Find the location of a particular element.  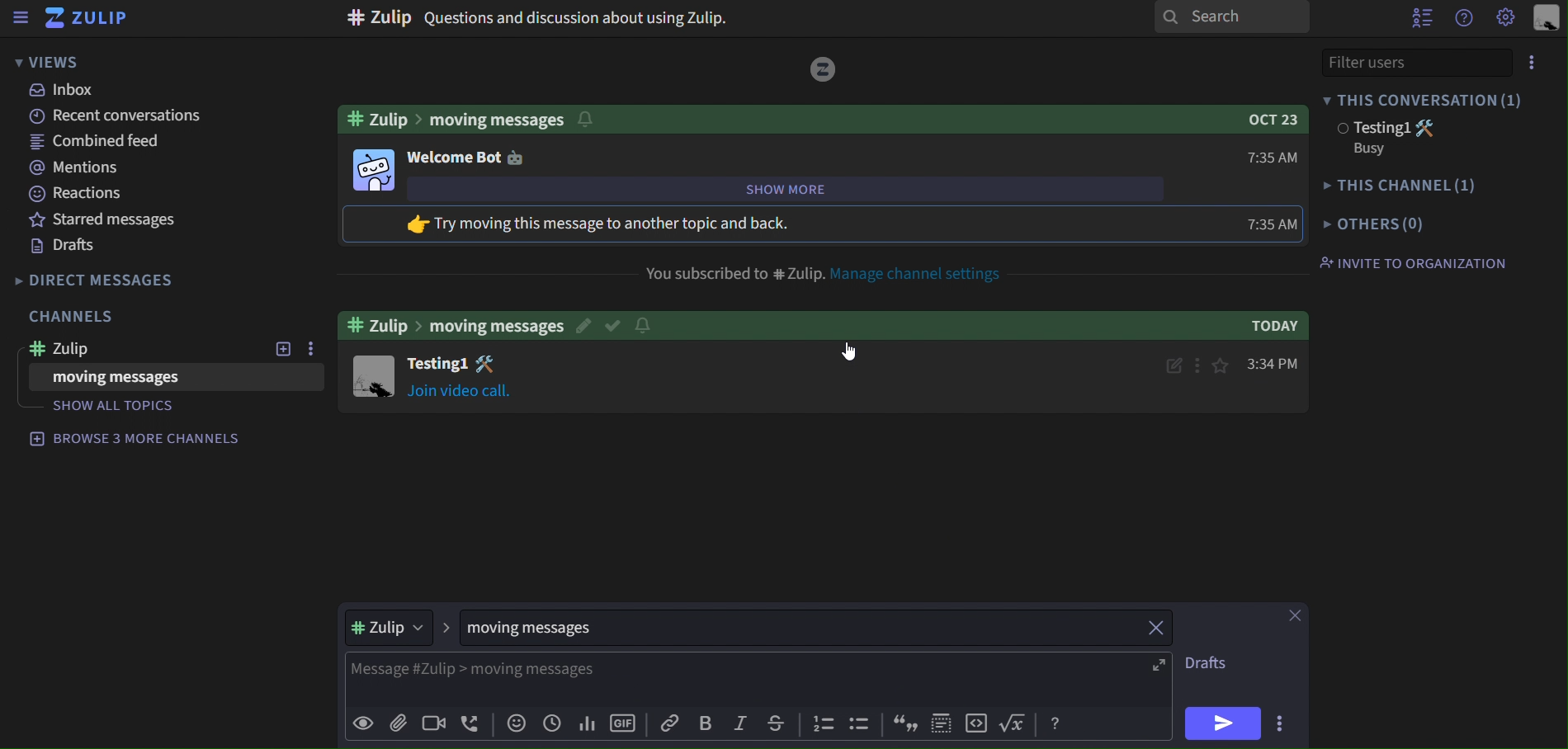

drafts is located at coordinates (72, 246).